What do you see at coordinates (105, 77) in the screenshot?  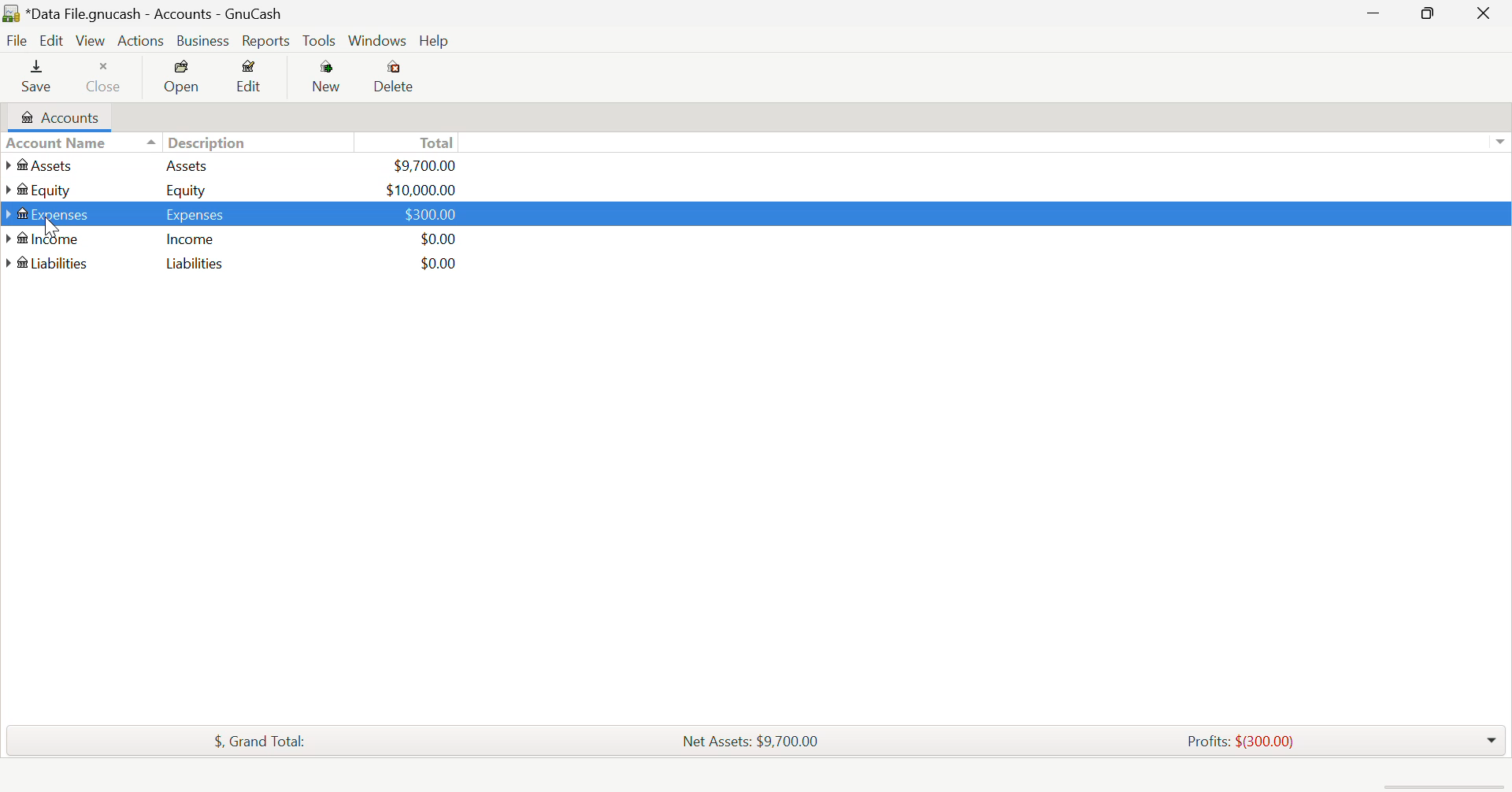 I see `Close` at bounding box center [105, 77].